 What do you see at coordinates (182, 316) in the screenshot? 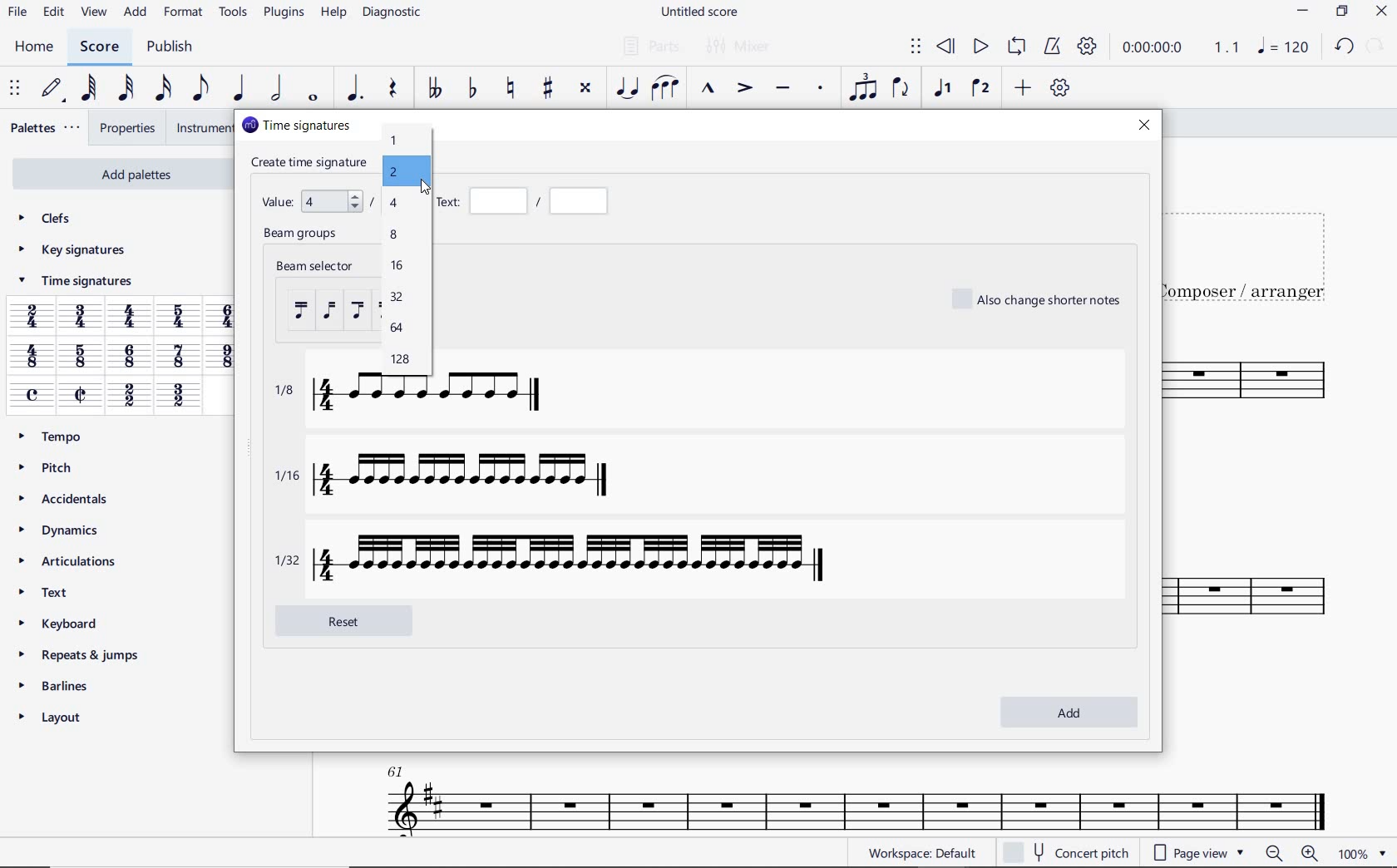
I see `5/4` at bounding box center [182, 316].